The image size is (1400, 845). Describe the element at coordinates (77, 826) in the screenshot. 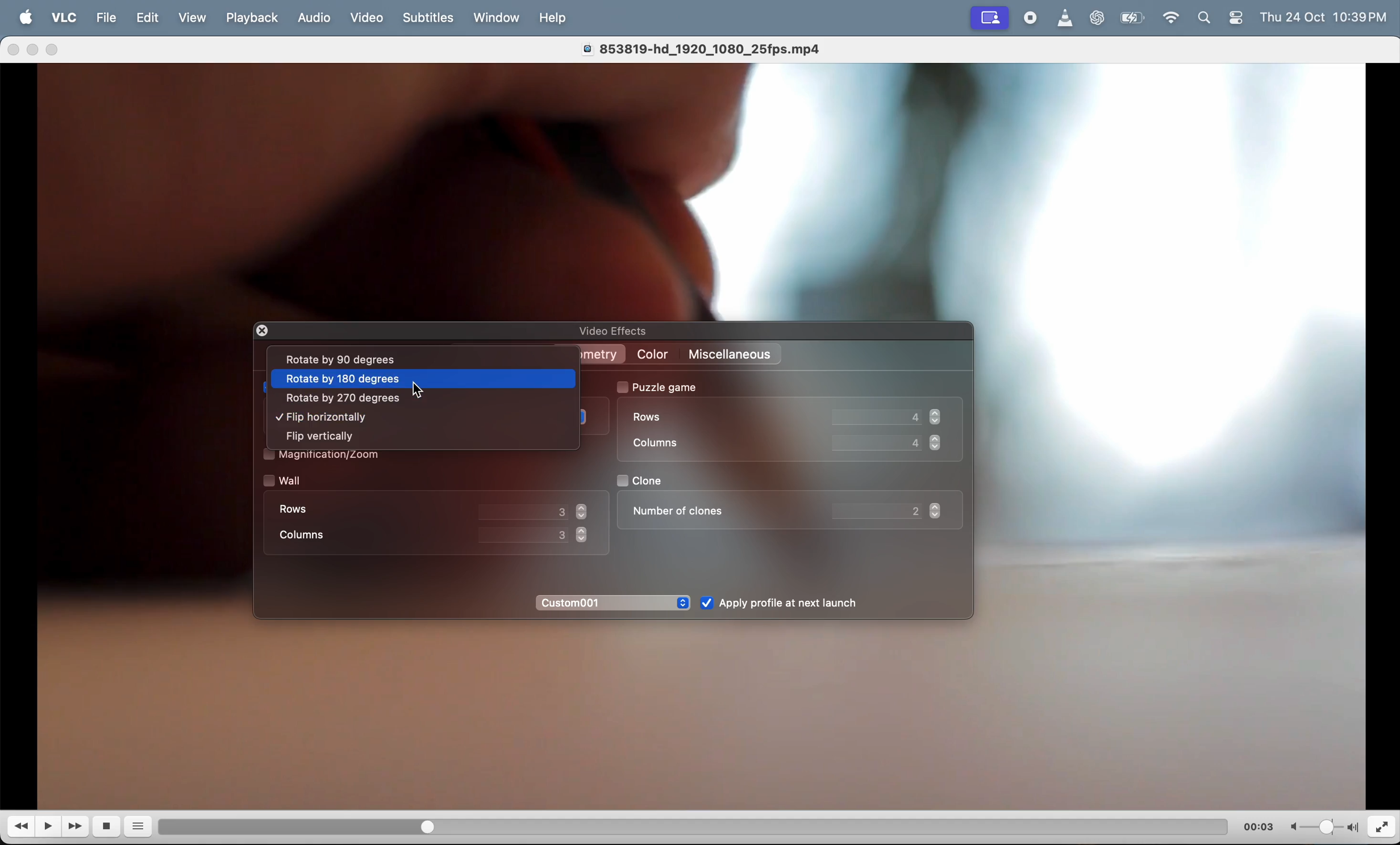

I see `Fast forward` at that location.